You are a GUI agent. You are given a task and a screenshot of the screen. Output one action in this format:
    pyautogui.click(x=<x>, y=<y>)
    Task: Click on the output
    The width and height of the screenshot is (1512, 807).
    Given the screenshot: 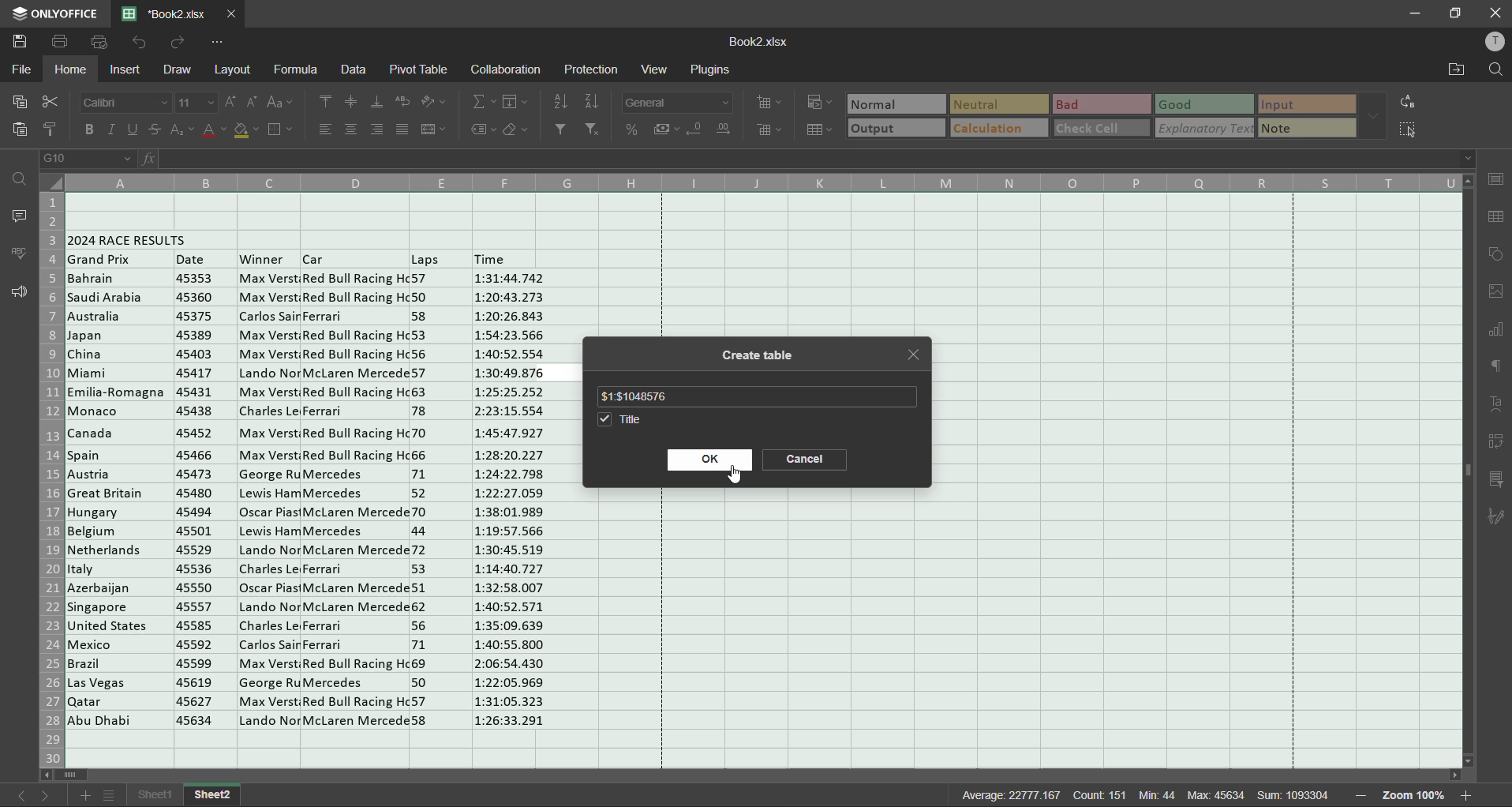 What is the action you would take?
    pyautogui.click(x=894, y=130)
    